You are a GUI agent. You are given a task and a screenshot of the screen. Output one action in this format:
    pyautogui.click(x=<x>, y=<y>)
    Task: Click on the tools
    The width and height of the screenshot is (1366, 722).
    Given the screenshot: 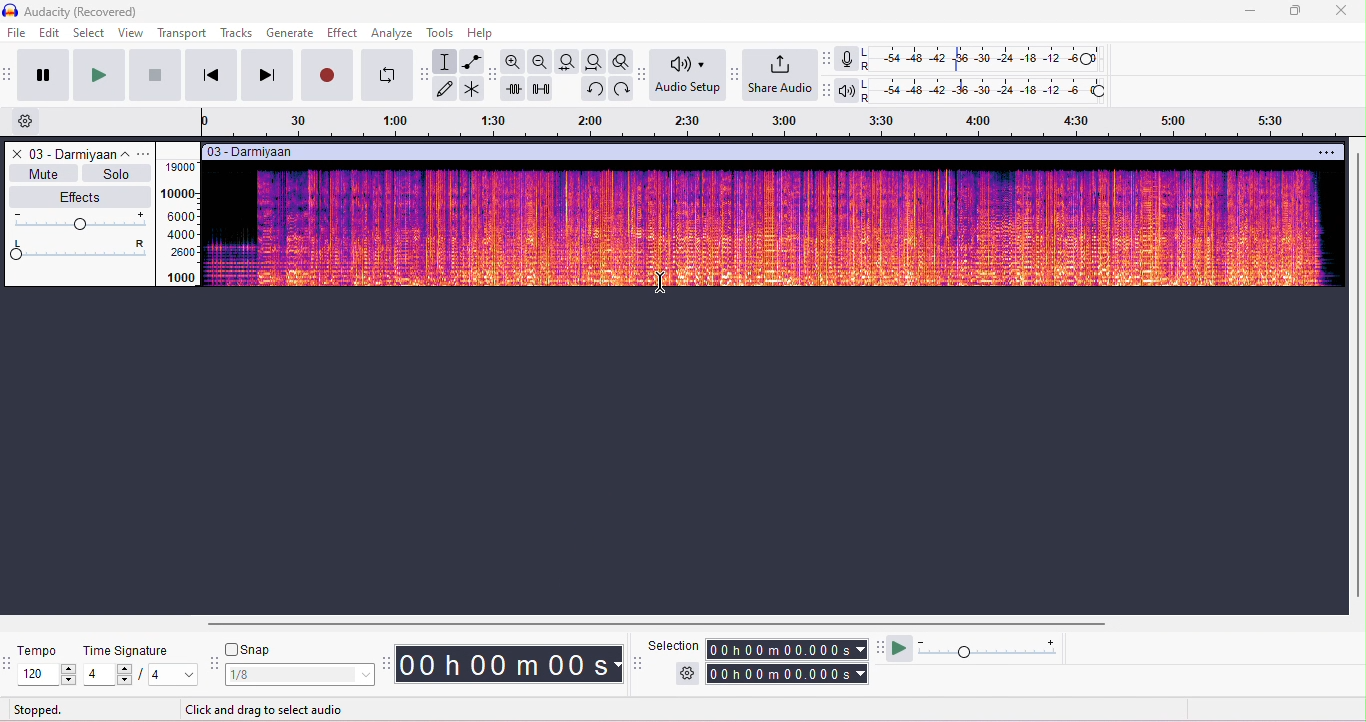 What is the action you would take?
    pyautogui.click(x=444, y=33)
    